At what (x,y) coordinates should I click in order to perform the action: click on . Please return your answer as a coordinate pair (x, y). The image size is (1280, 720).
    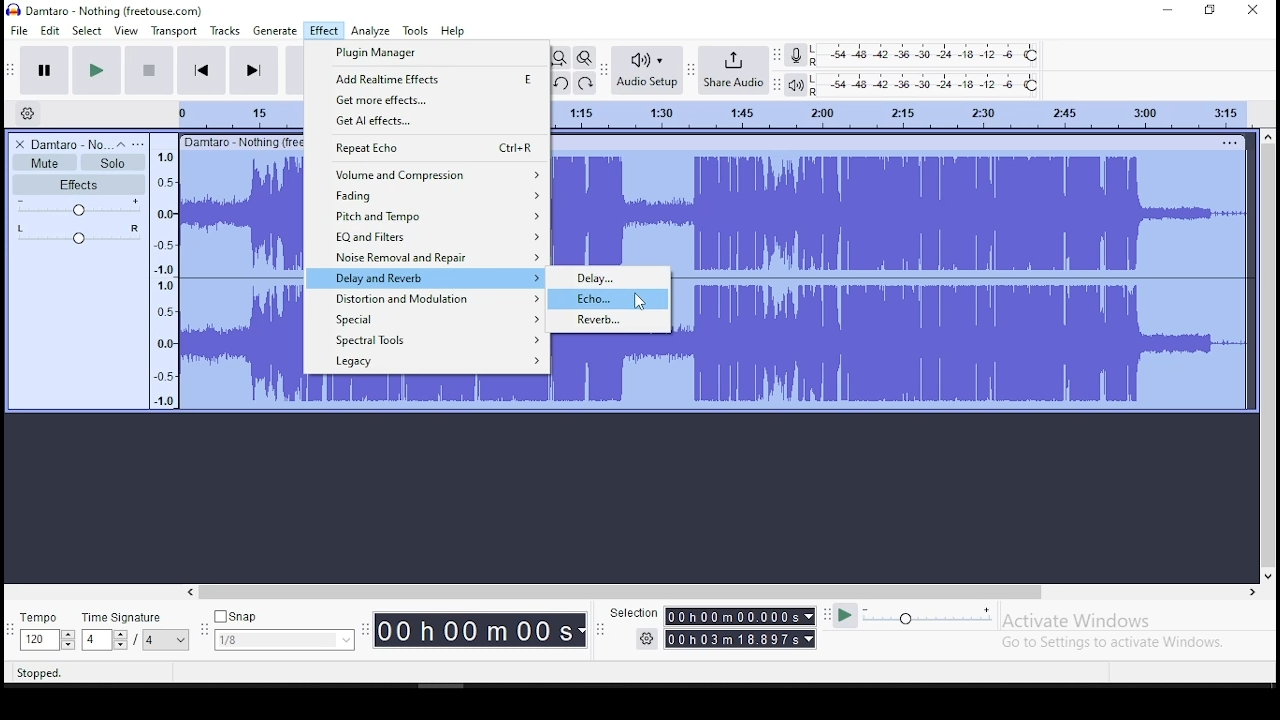
    Looking at the image, I should click on (12, 630).